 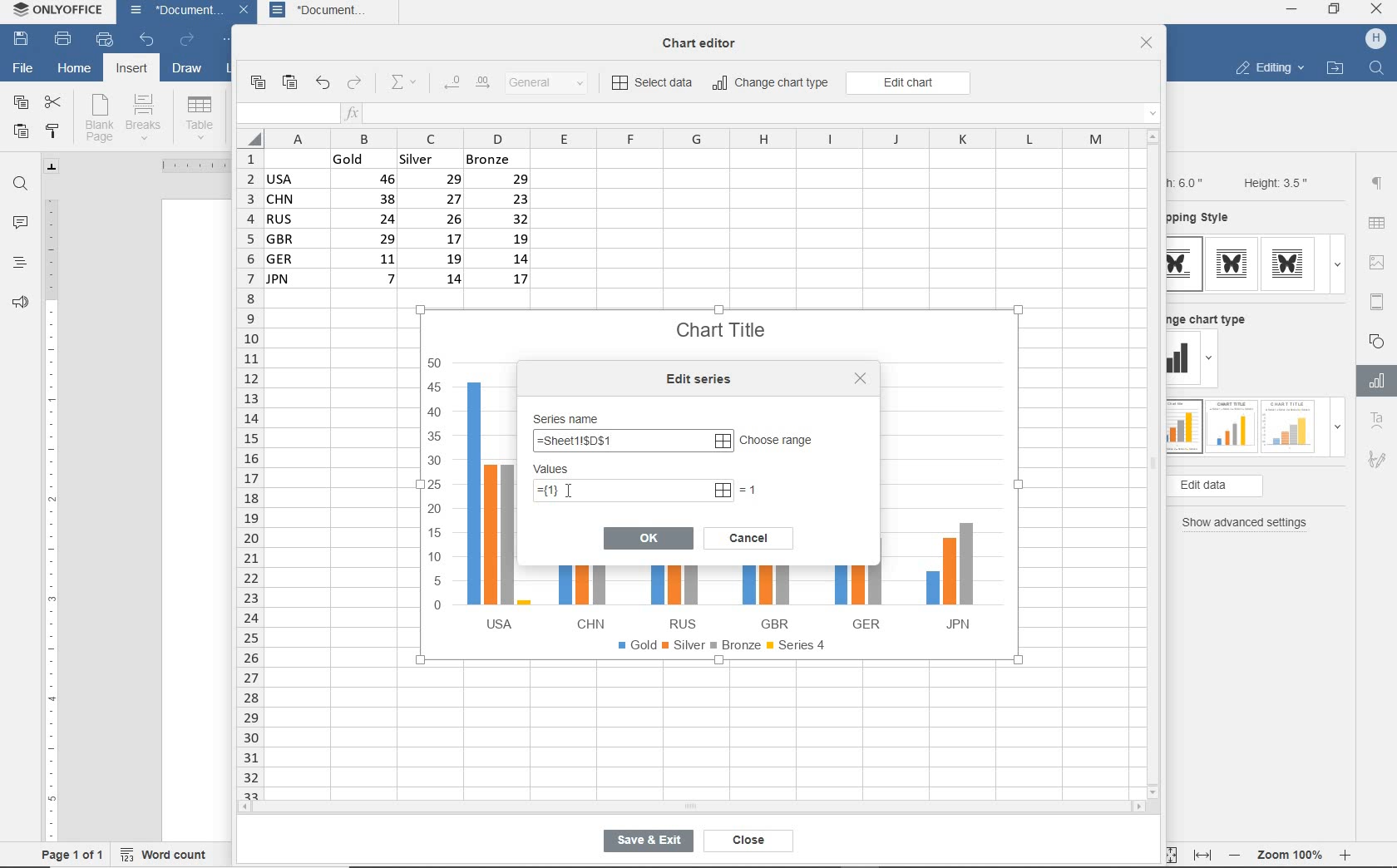 I want to click on paste, so click(x=21, y=133).